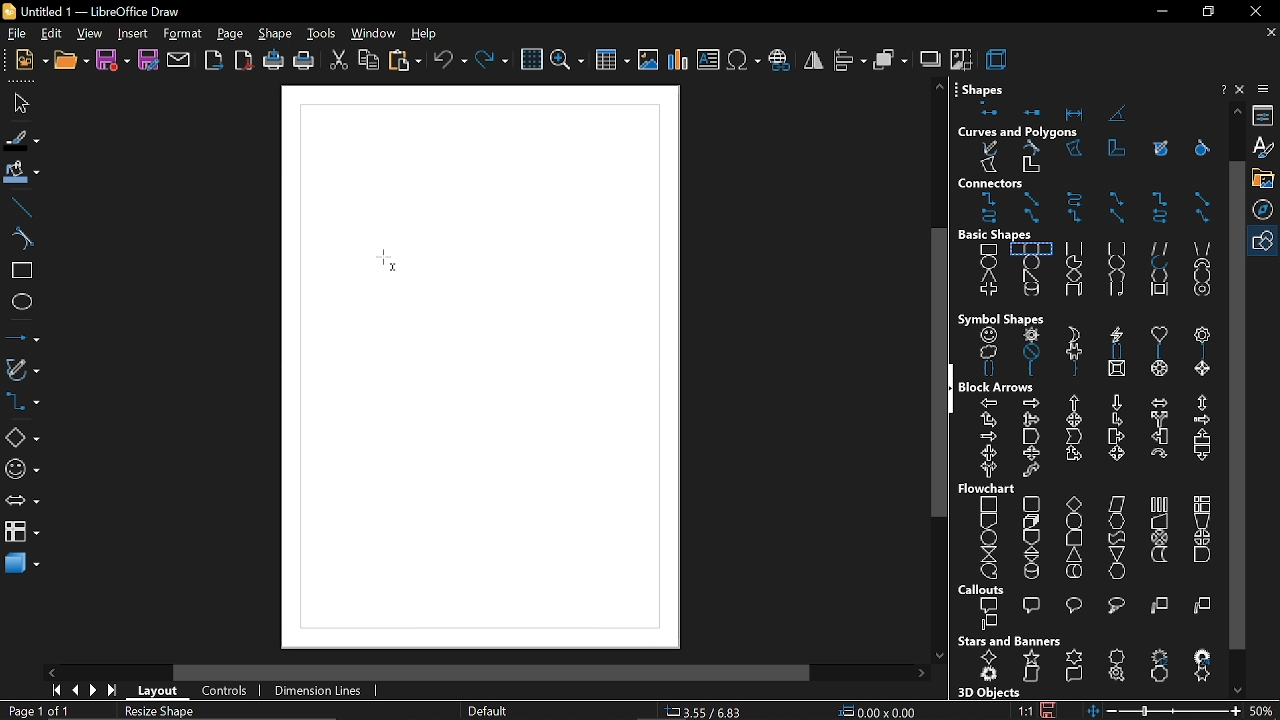 Image resolution: width=1280 pixels, height=720 pixels. I want to click on layout, so click(160, 694).